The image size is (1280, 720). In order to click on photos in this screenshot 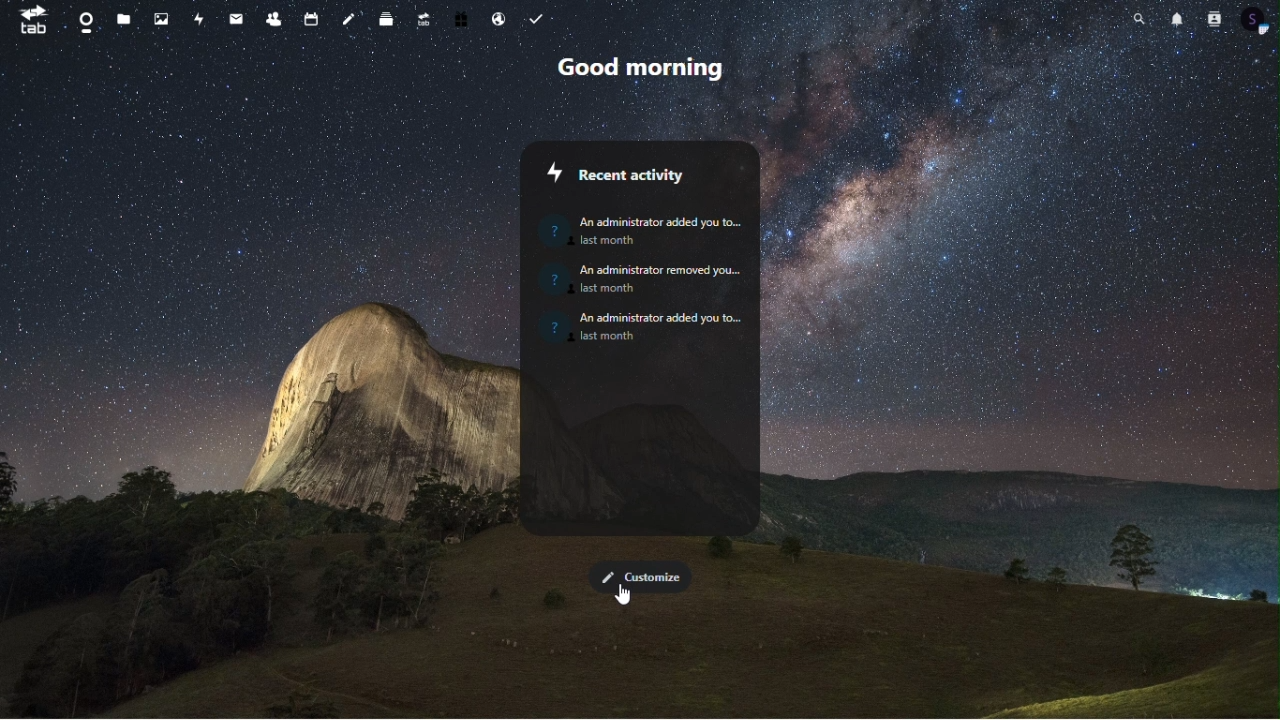, I will do `click(164, 21)`.